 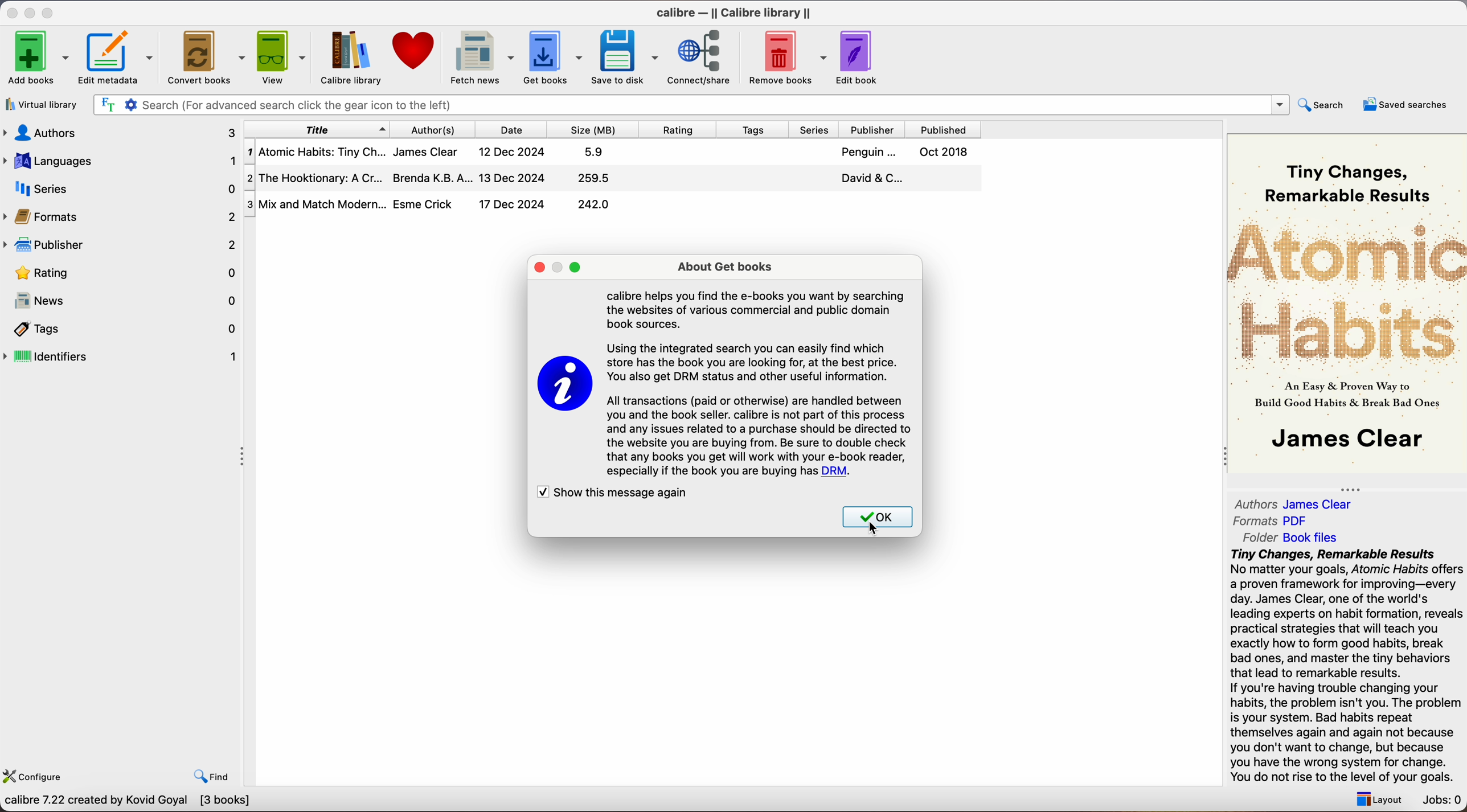 What do you see at coordinates (315, 205) in the screenshot?
I see `Mix and Match Modern...` at bounding box center [315, 205].